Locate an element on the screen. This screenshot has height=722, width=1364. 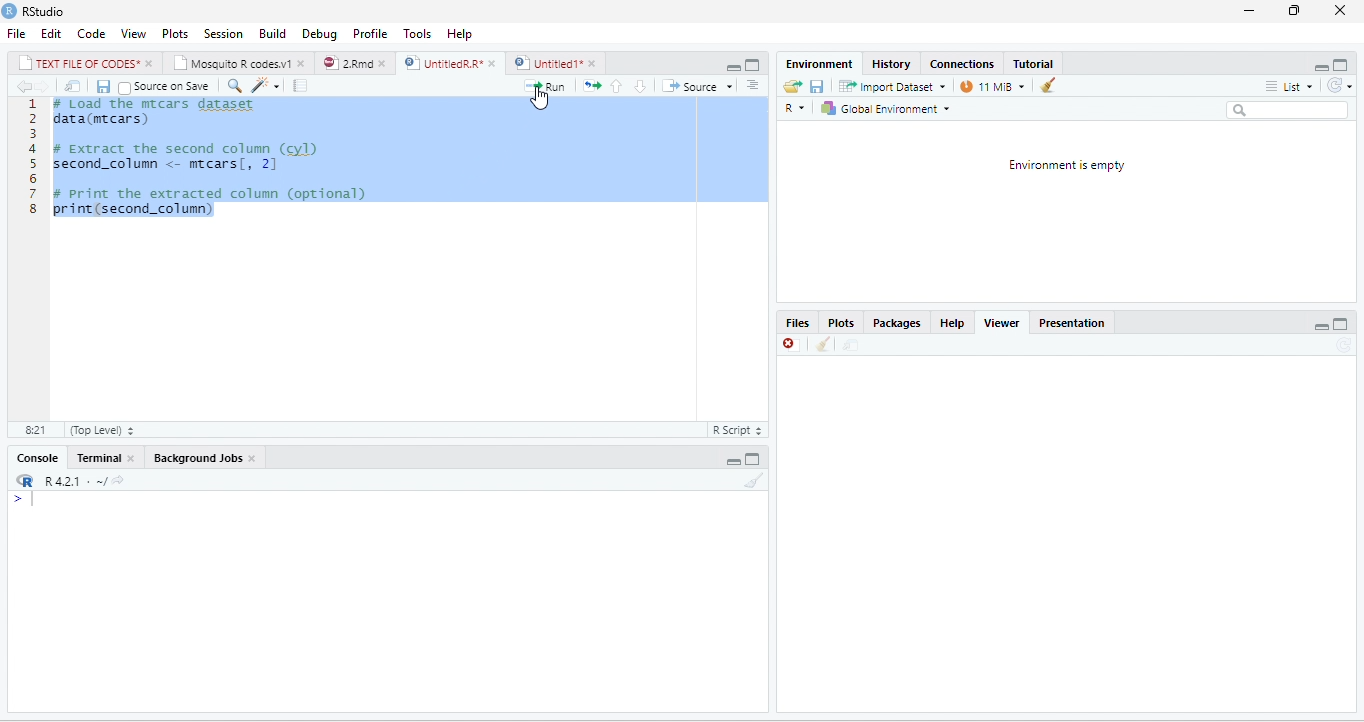
close is located at coordinates (1340, 10).